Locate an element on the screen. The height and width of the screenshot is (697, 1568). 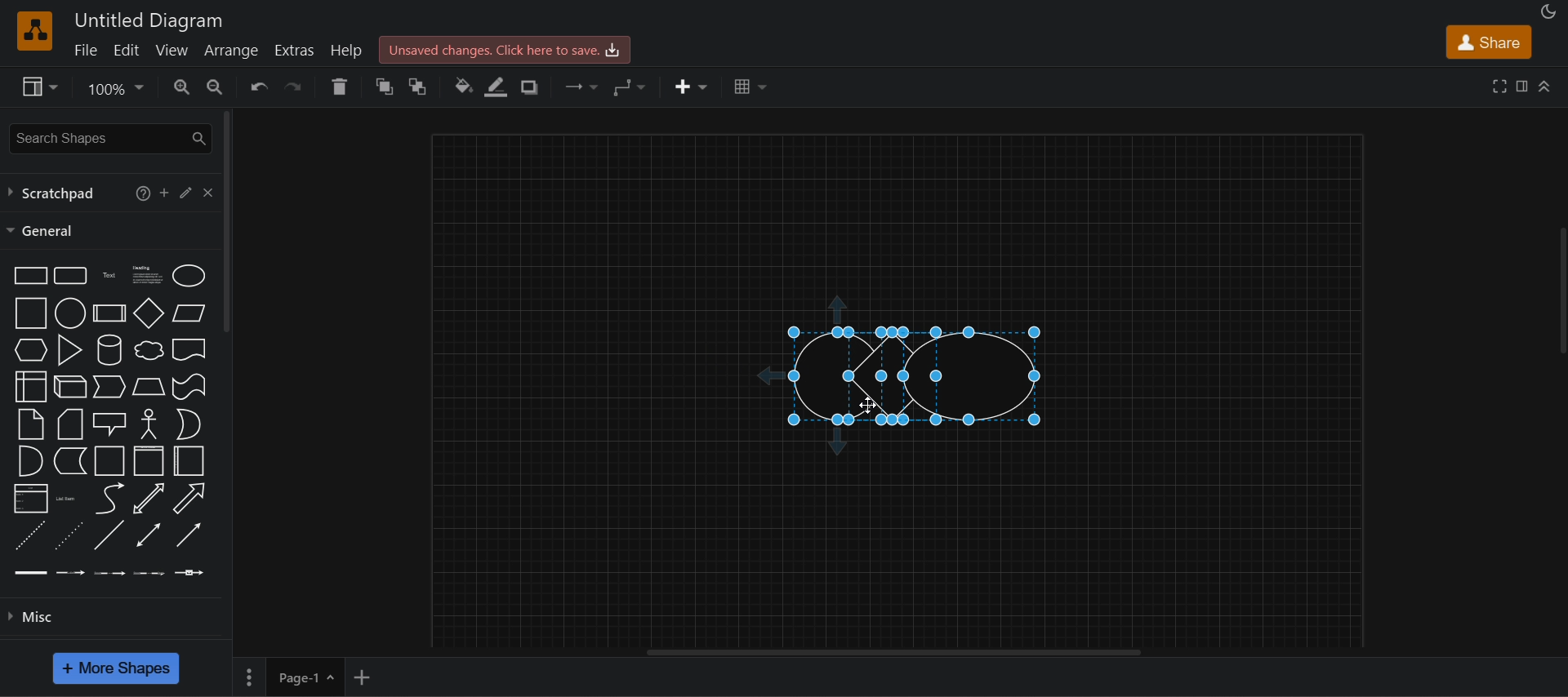
undo is located at coordinates (258, 87).